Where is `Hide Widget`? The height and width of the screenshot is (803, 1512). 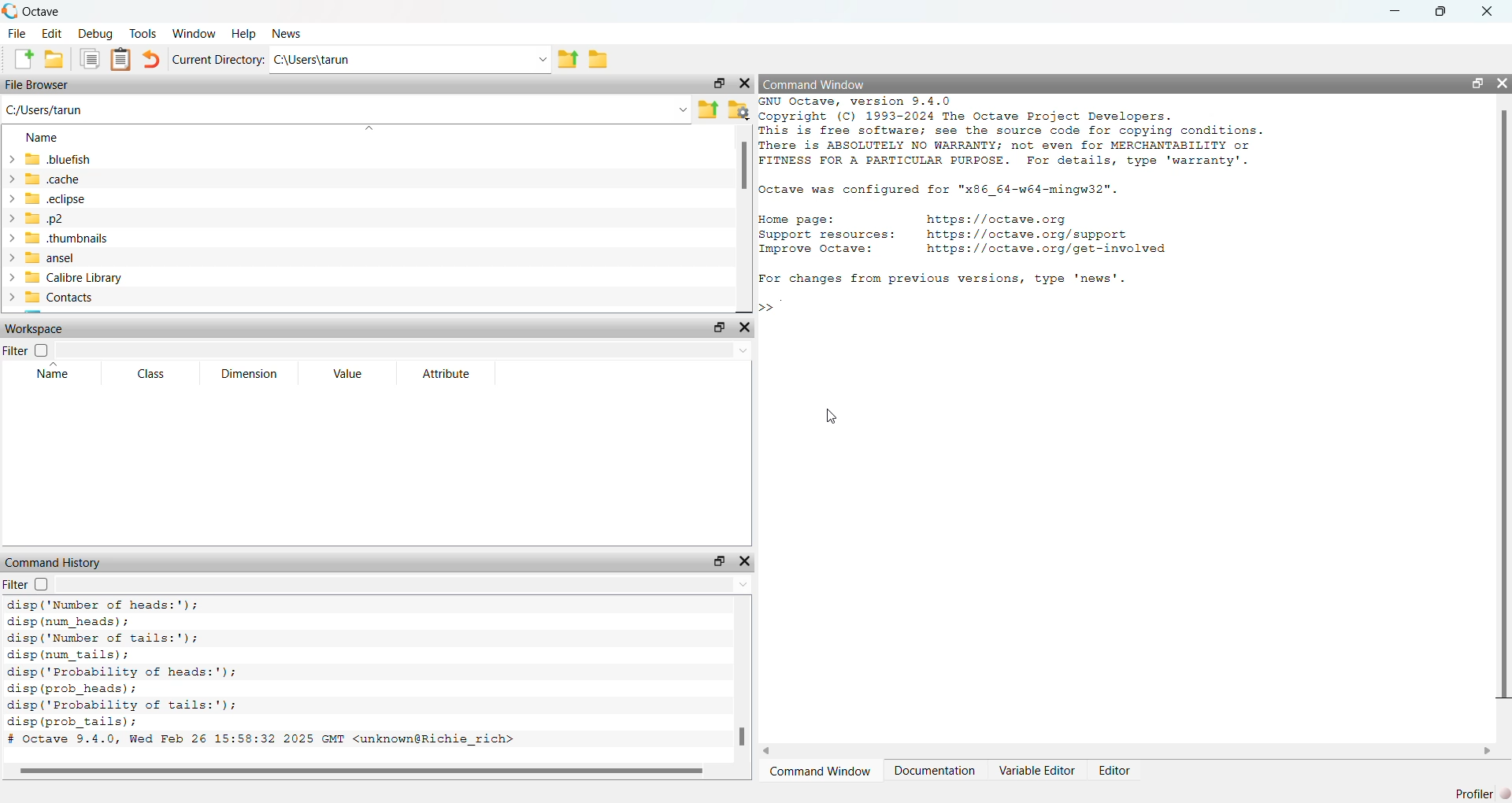 Hide Widget is located at coordinates (1503, 83).